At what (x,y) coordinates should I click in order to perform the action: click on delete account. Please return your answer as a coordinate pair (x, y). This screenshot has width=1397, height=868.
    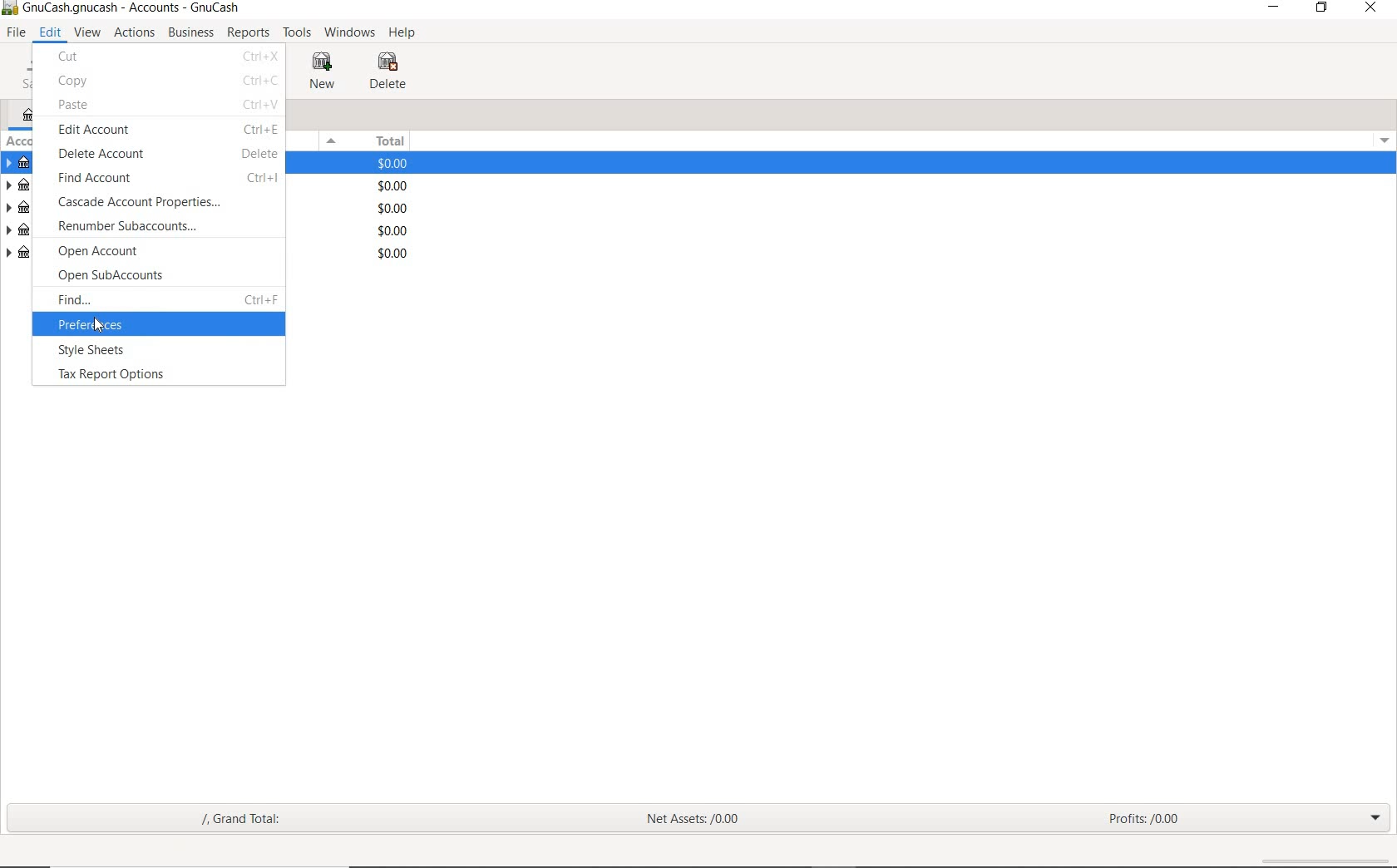
    Looking at the image, I should click on (101, 155).